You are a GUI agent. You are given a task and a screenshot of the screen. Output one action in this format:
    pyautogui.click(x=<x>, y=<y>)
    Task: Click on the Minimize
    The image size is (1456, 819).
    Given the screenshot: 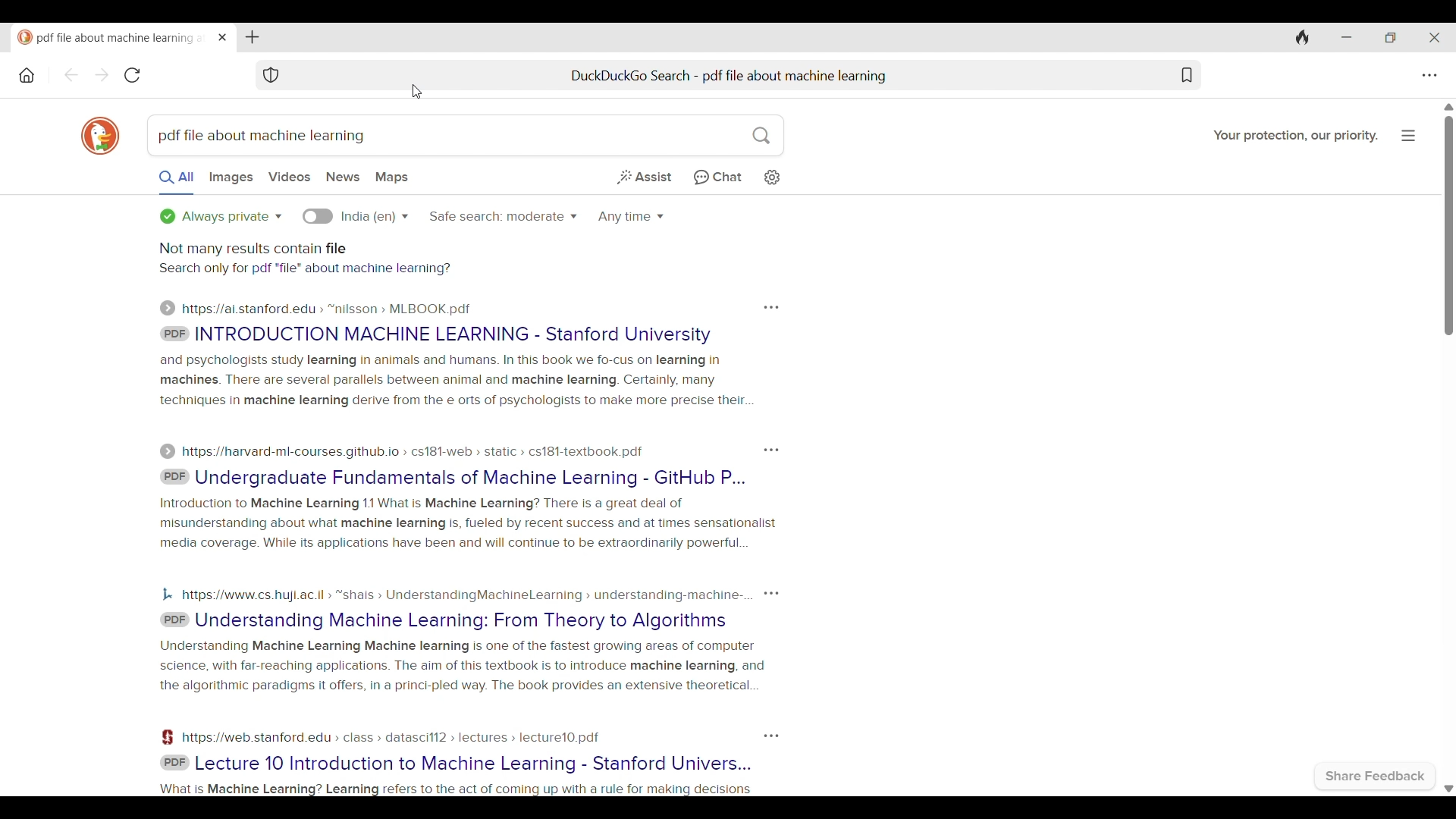 What is the action you would take?
    pyautogui.click(x=1345, y=37)
    